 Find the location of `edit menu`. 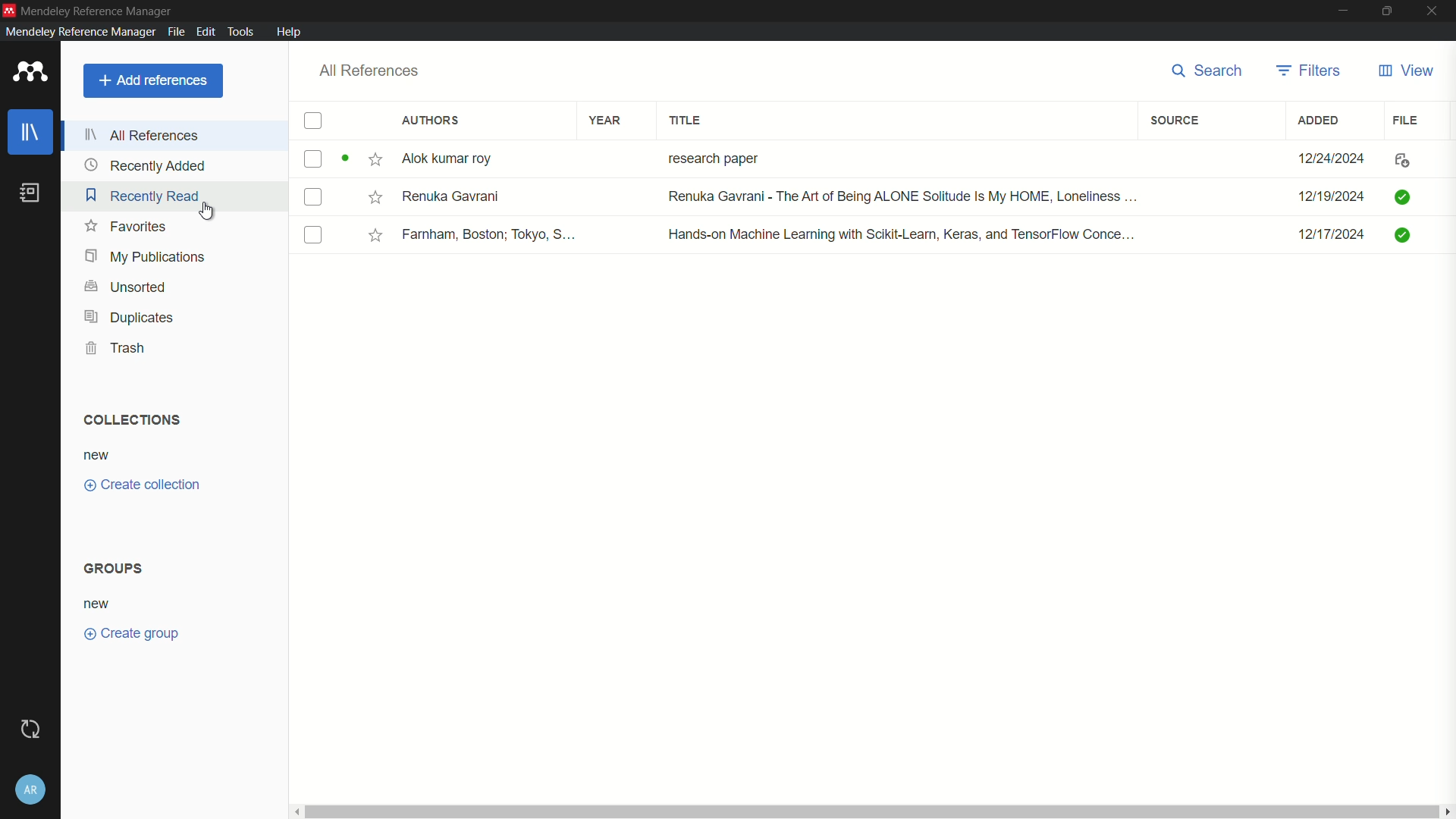

edit menu is located at coordinates (206, 33).